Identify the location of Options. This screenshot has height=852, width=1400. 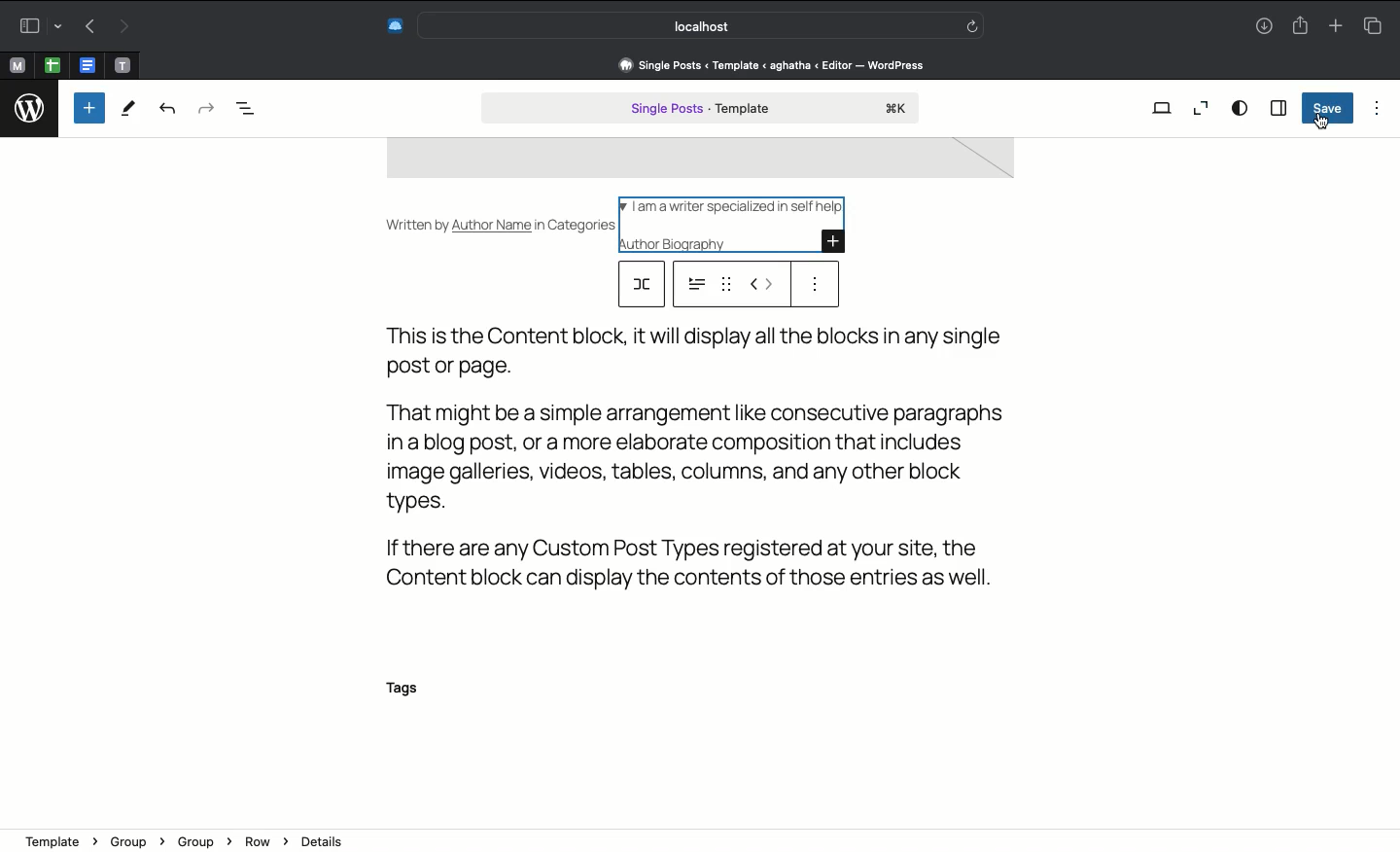
(1377, 107).